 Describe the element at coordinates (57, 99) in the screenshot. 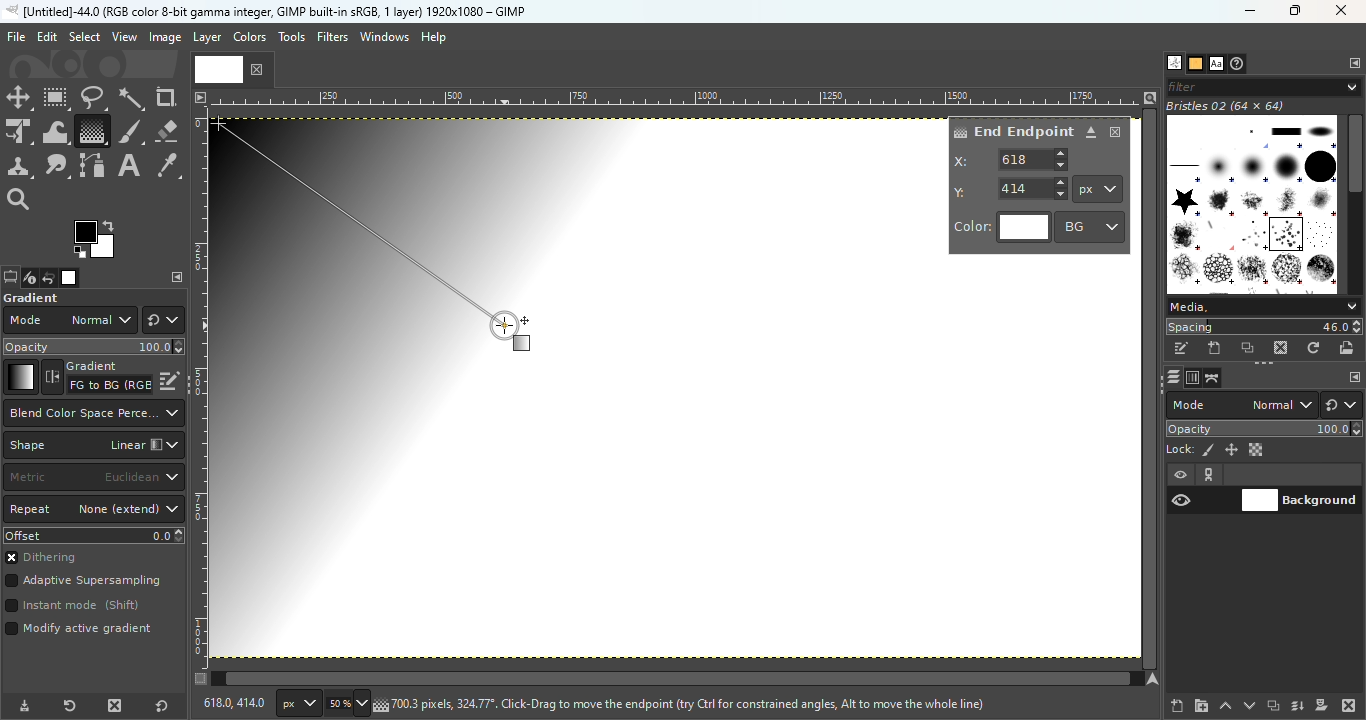

I see `Rectangle select tool` at that location.